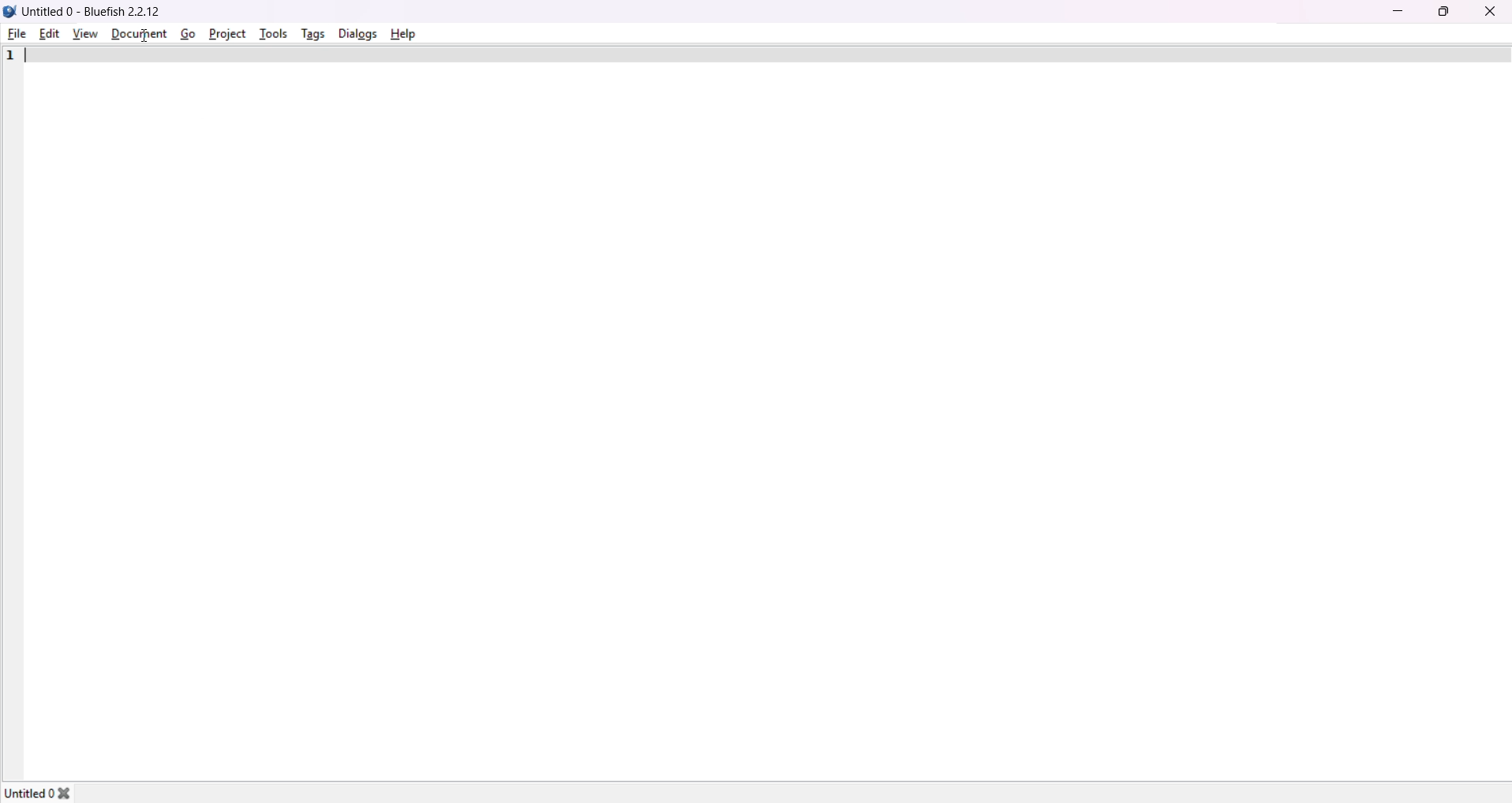  What do you see at coordinates (226, 32) in the screenshot?
I see `project` at bounding box center [226, 32].